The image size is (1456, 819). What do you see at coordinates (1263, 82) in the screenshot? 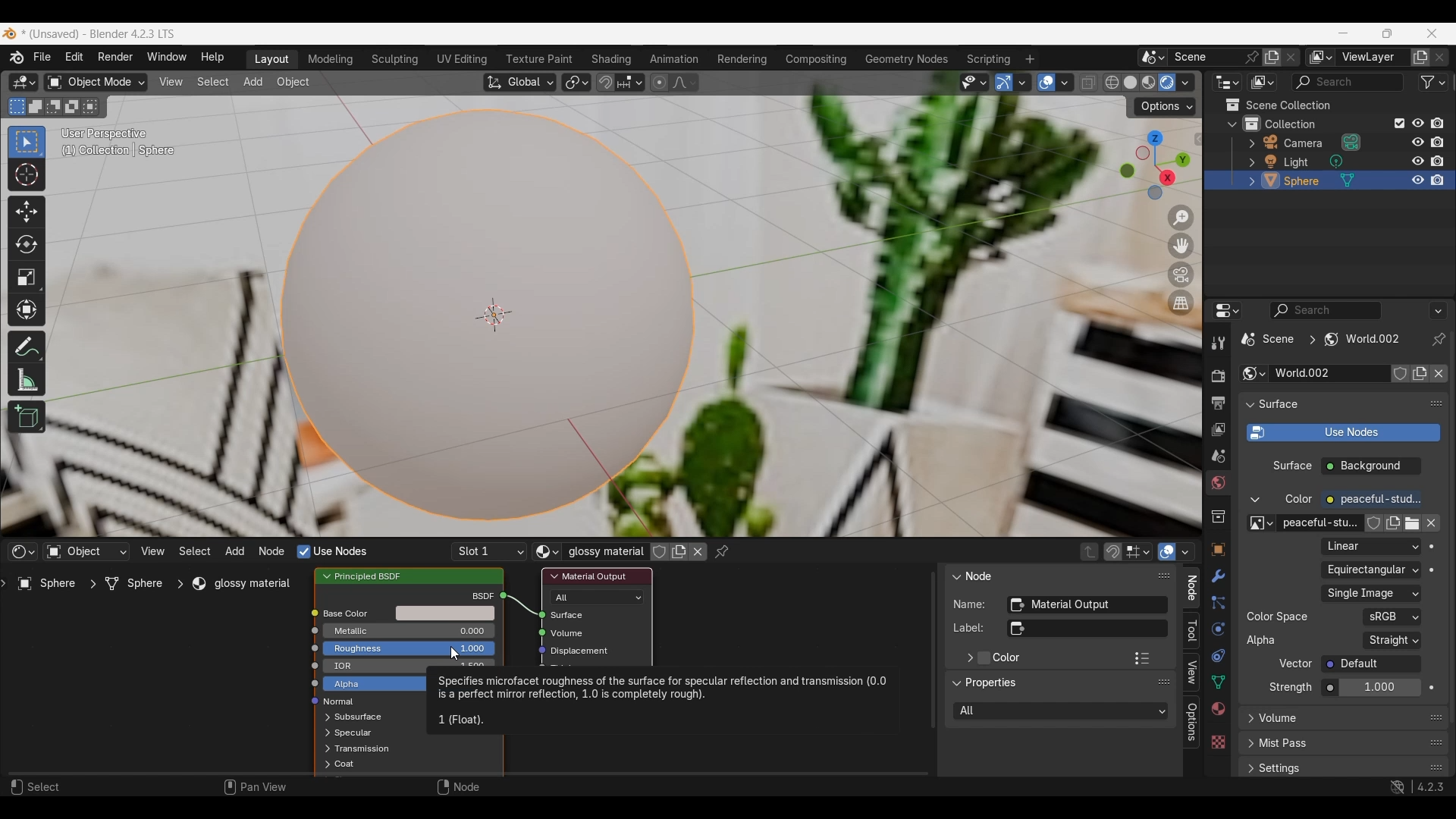
I see `Display mode` at bounding box center [1263, 82].